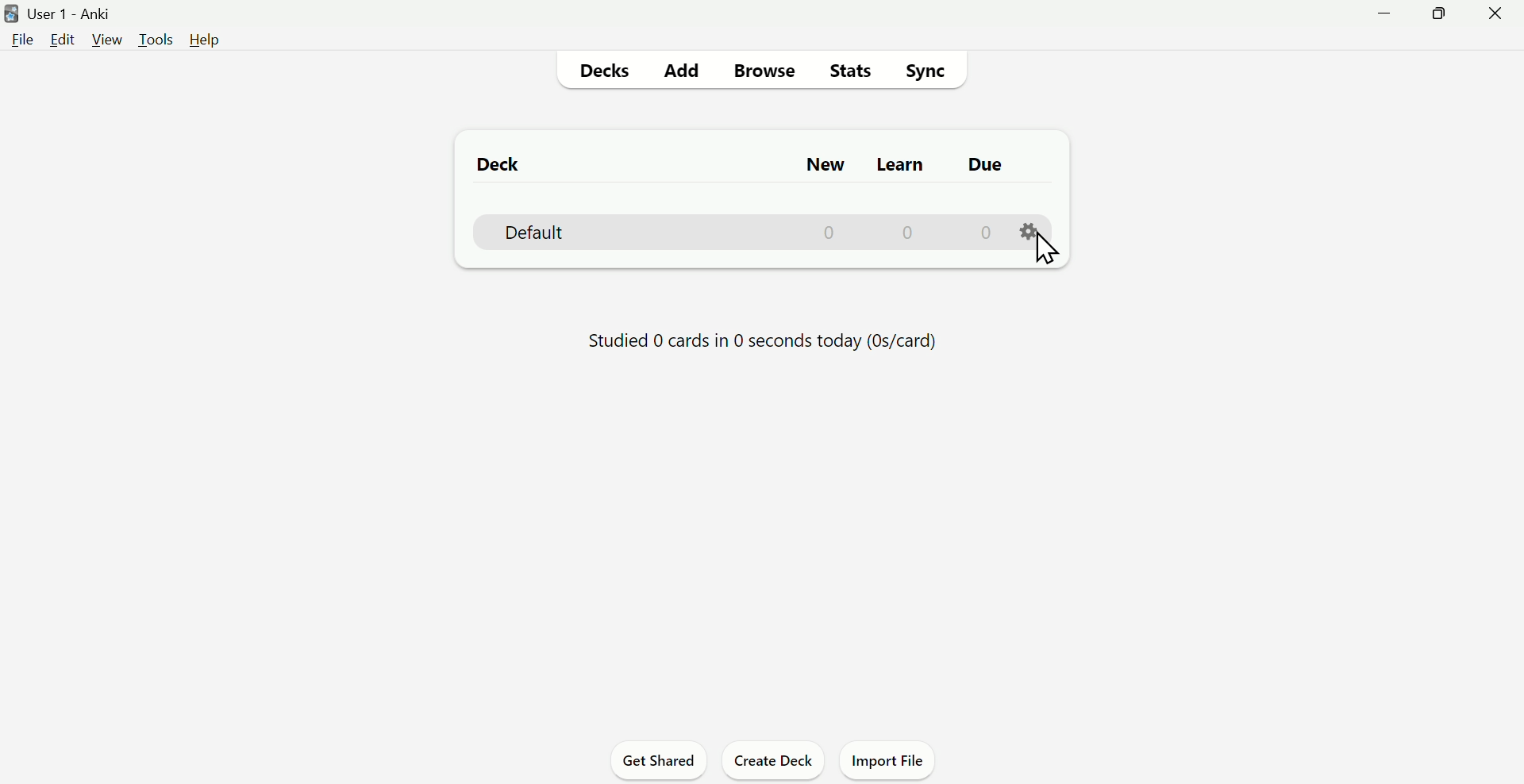 The width and height of the screenshot is (1524, 784). Describe the element at coordinates (900, 164) in the screenshot. I see `Learn` at that location.